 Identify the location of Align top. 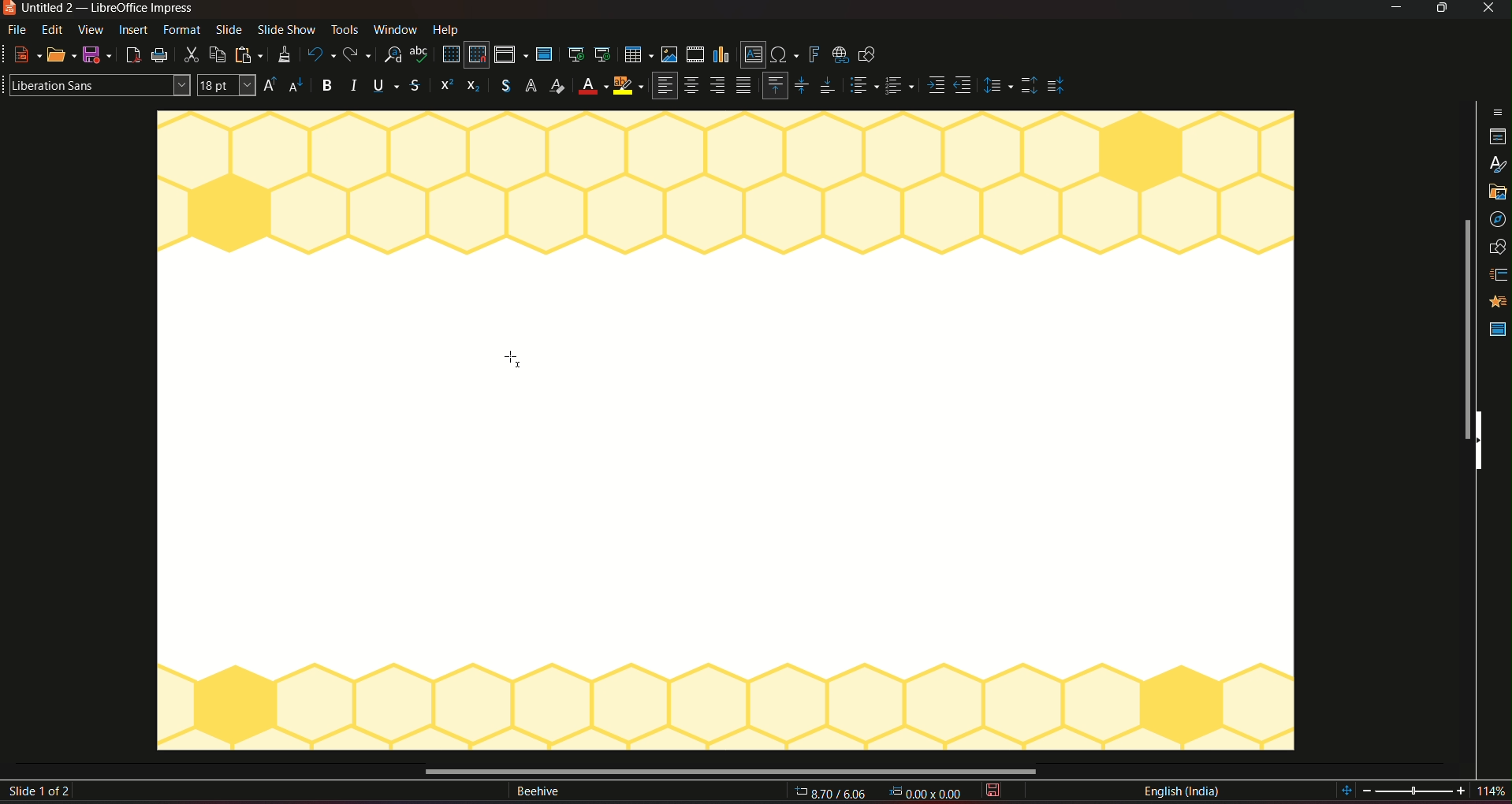
(774, 84).